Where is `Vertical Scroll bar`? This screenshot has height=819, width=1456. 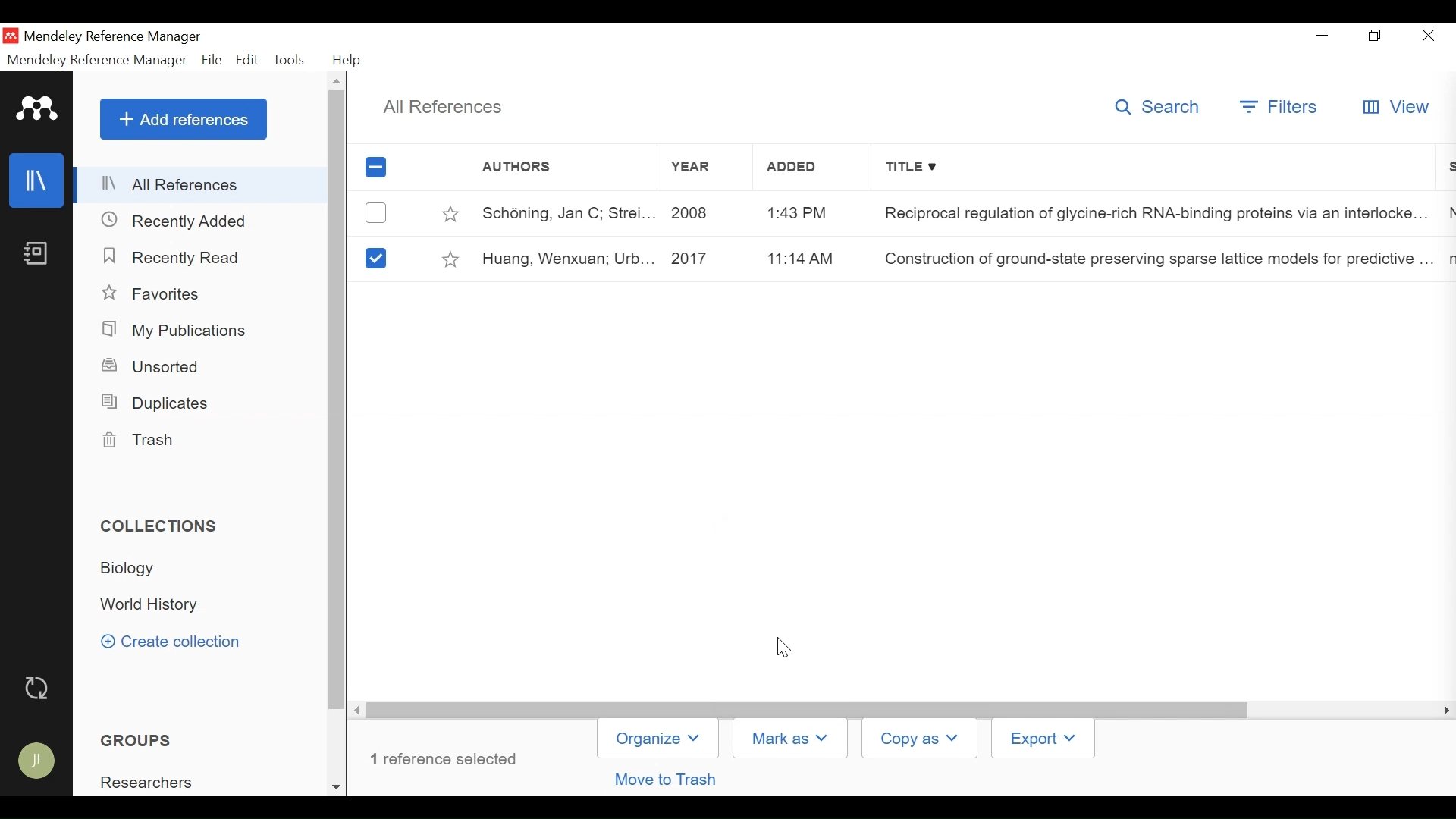
Vertical Scroll bar is located at coordinates (811, 710).